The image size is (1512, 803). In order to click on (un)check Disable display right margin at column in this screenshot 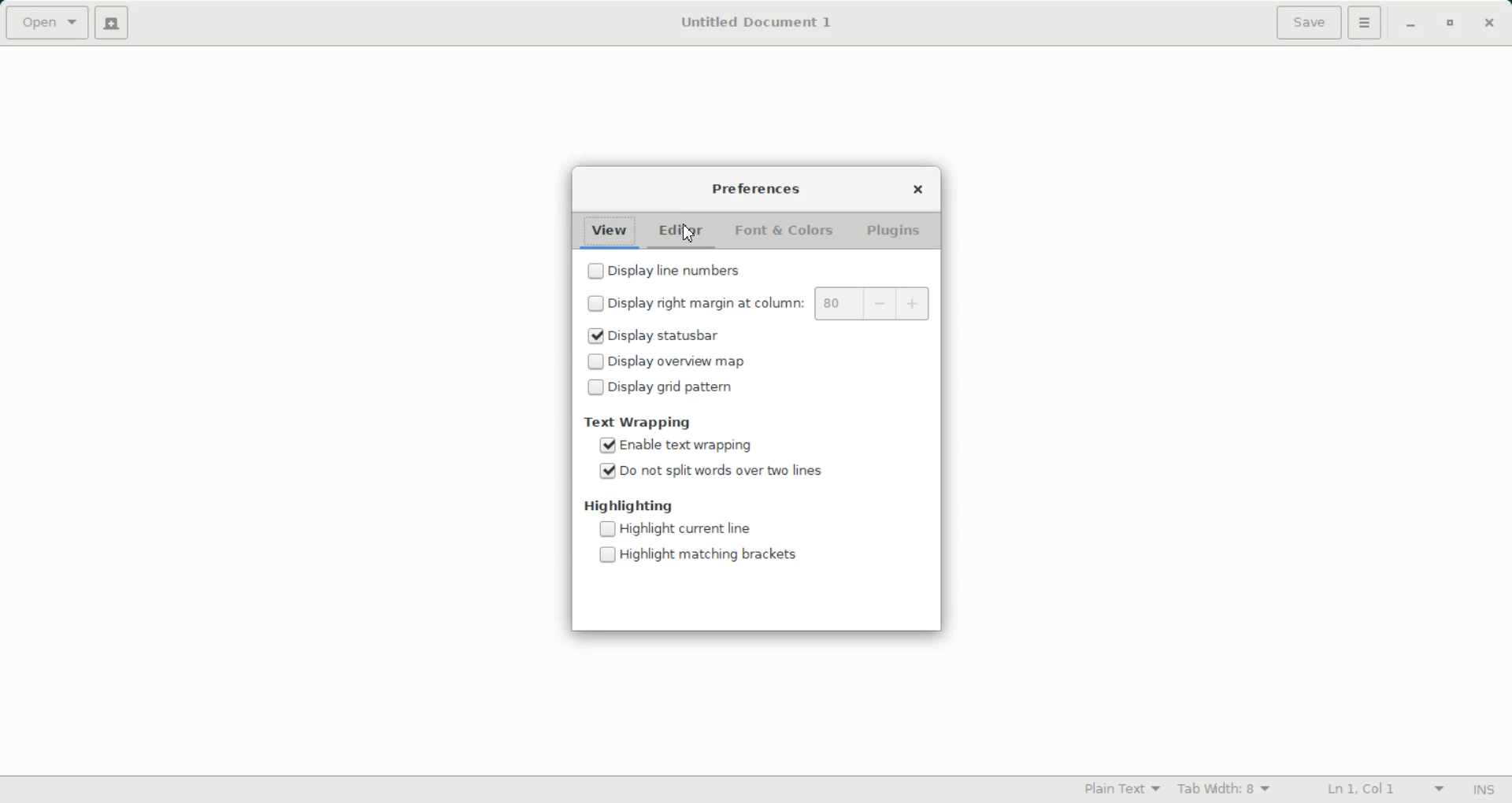, I will do `click(691, 304)`.